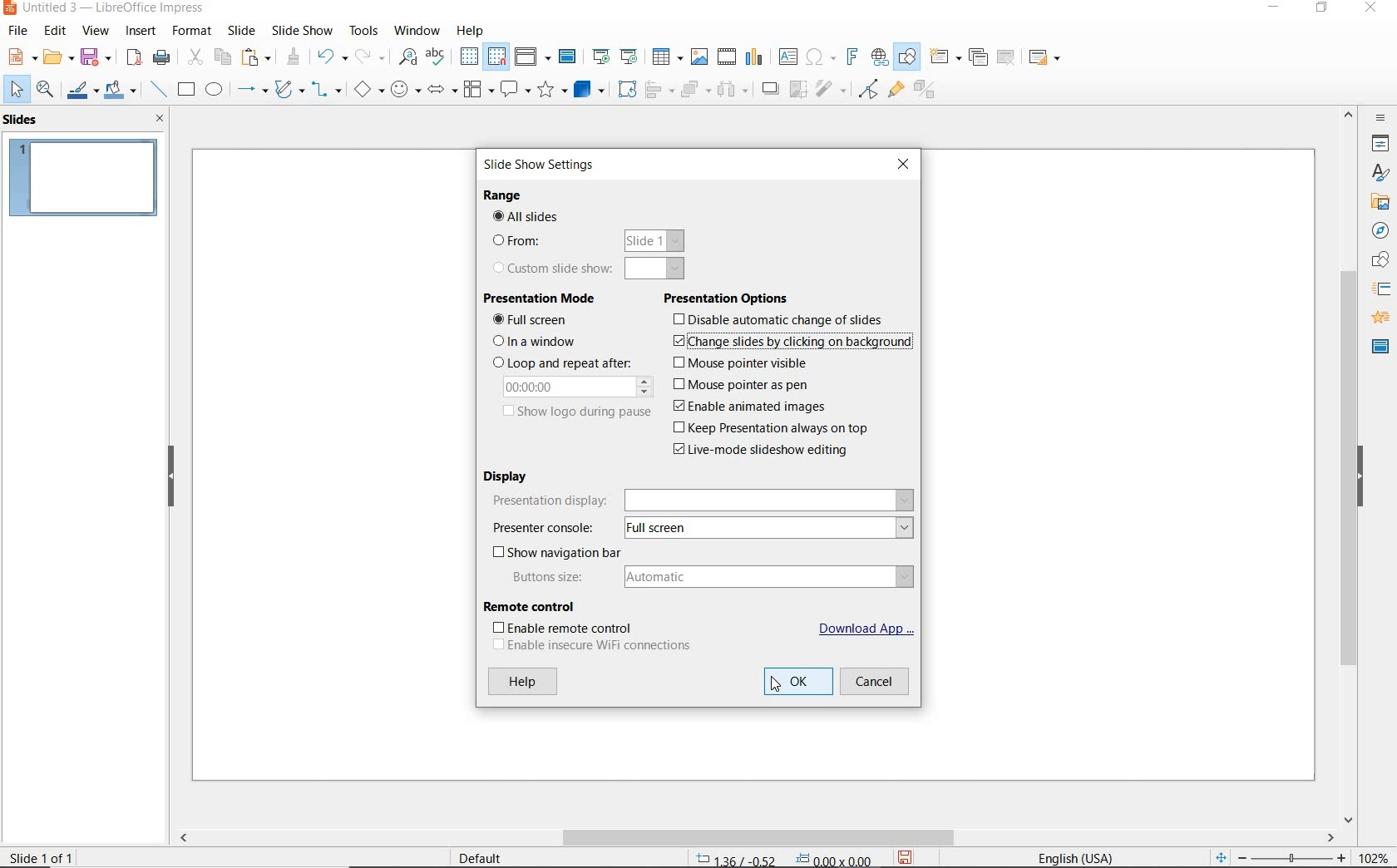 The width and height of the screenshot is (1397, 868). What do you see at coordinates (98, 57) in the screenshot?
I see `SAVE` at bounding box center [98, 57].